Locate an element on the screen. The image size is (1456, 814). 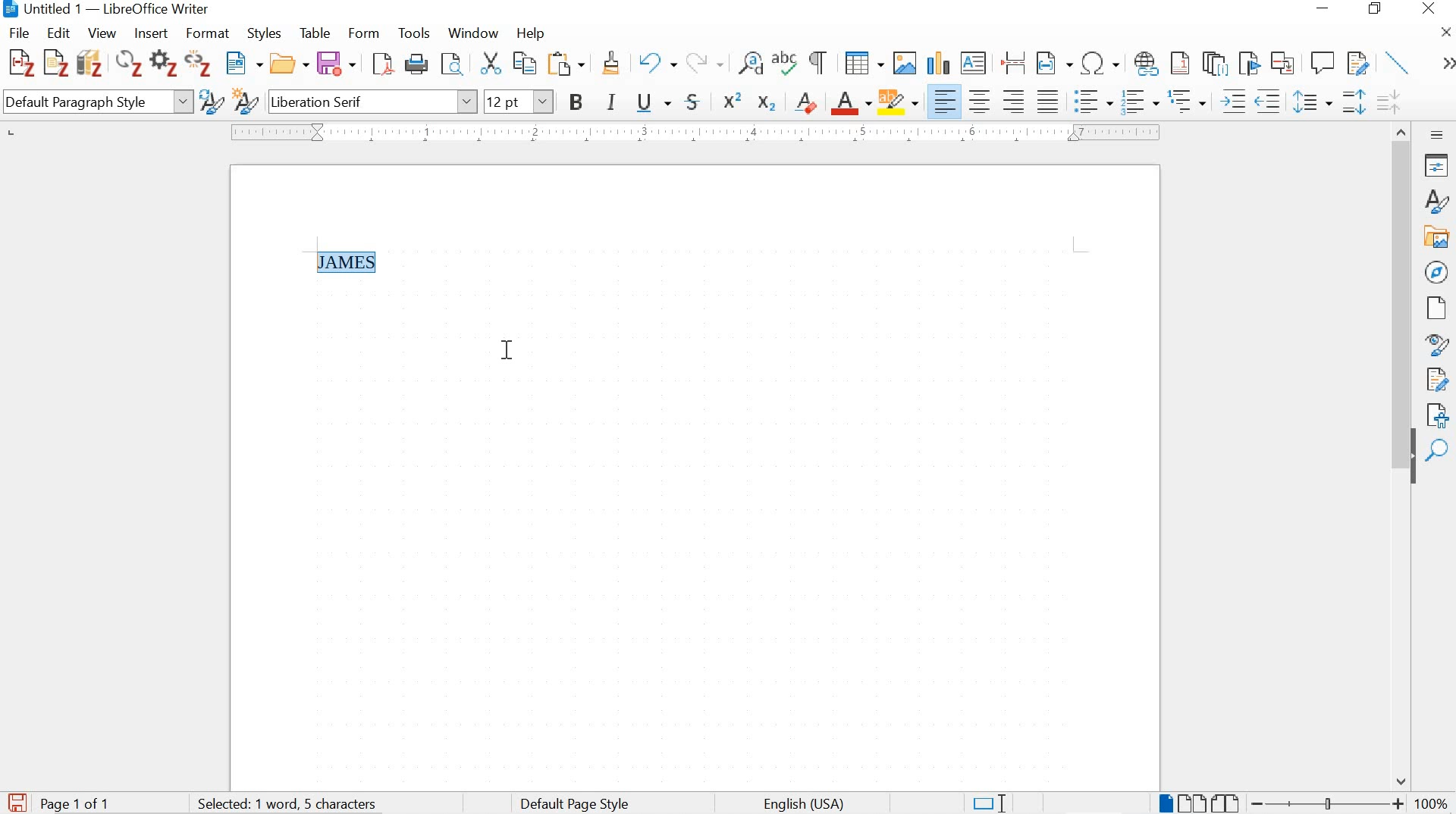
save is located at coordinates (336, 64).